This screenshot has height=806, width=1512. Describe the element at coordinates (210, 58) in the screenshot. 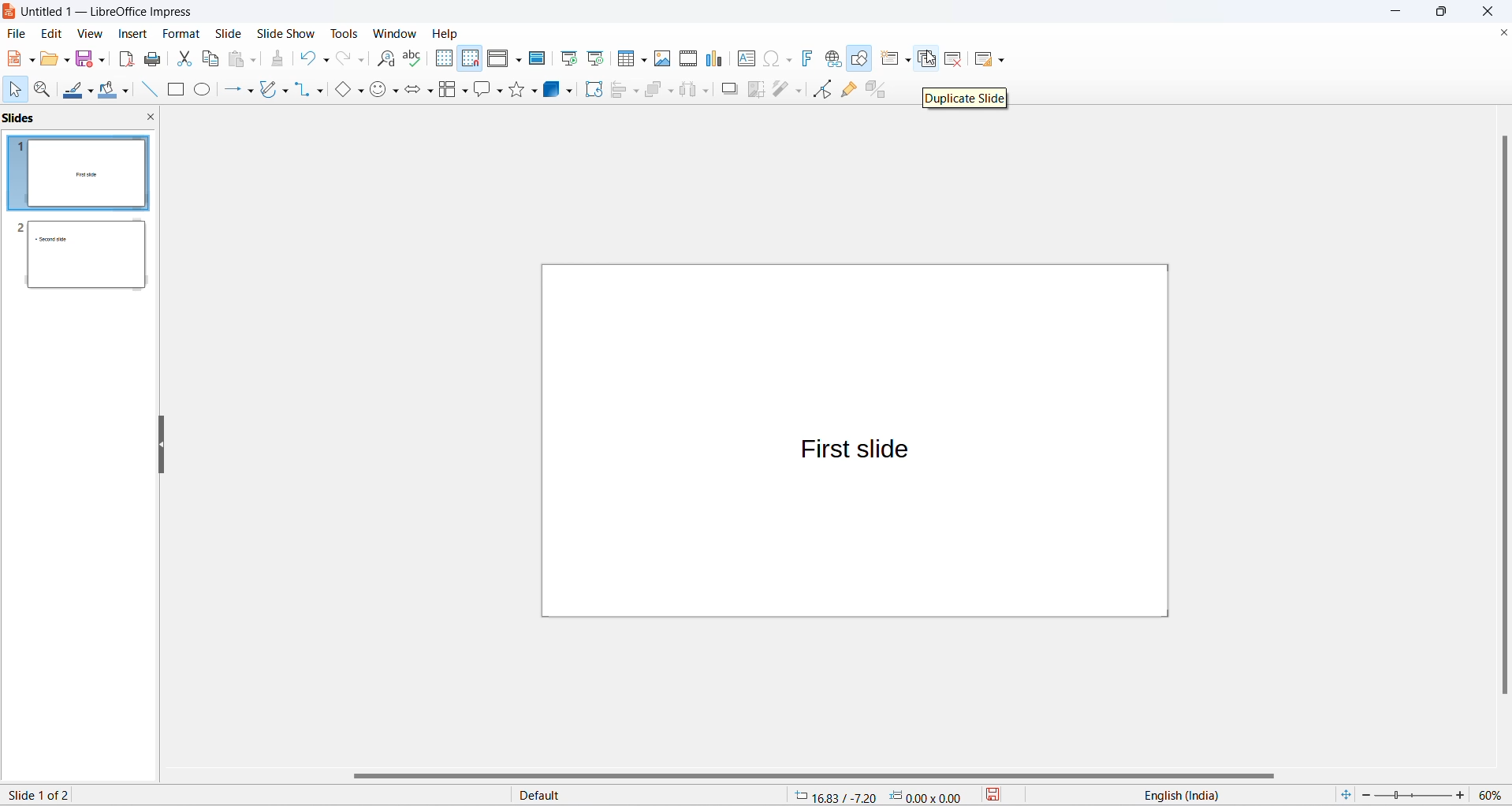

I see `copy` at that location.